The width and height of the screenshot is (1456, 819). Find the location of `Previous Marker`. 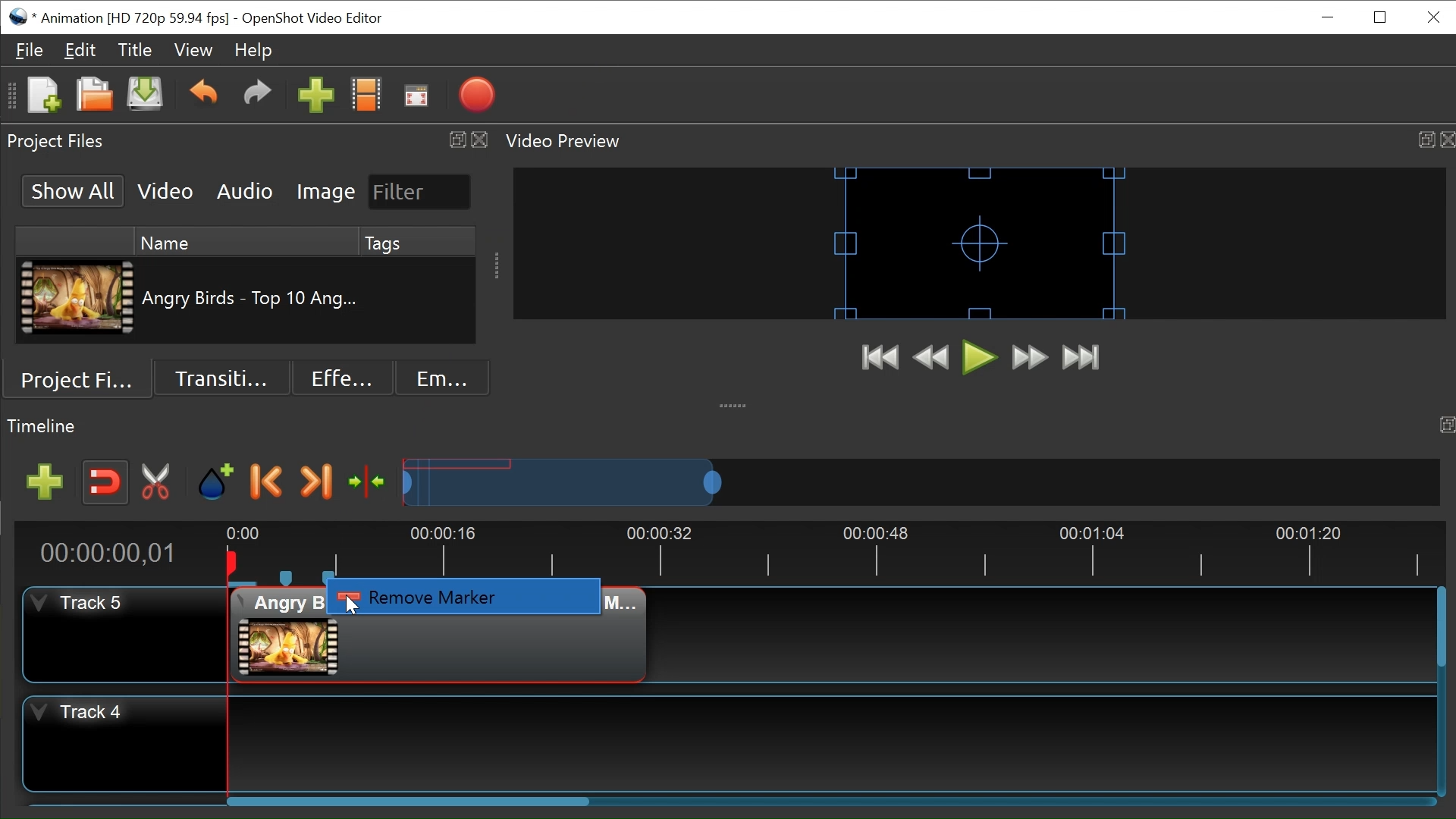

Previous Marker is located at coordinates (267, 482).